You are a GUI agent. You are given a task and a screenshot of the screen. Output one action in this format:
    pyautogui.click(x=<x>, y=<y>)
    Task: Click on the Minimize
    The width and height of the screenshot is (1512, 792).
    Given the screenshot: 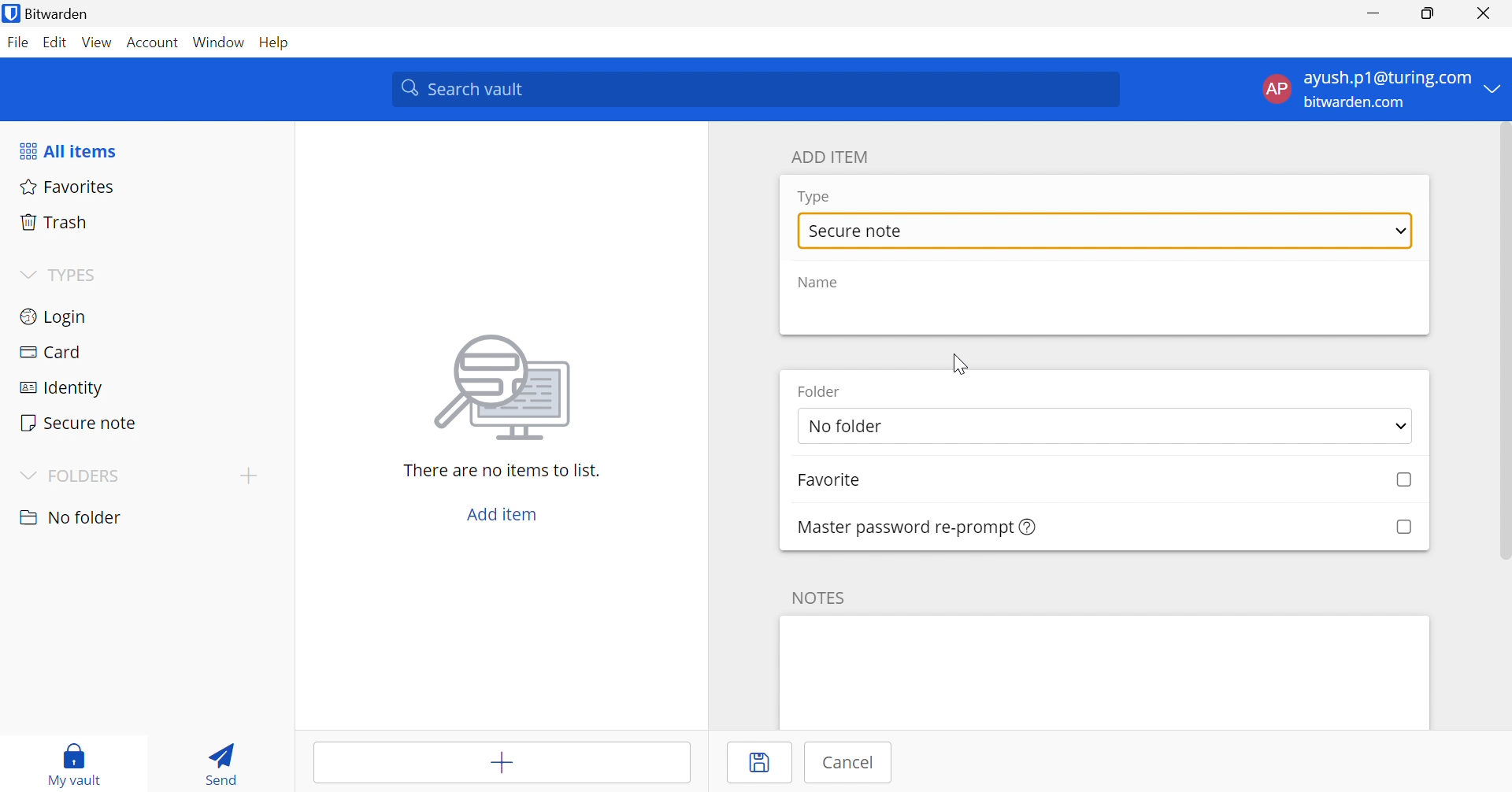 What is the action you would take?
    pyautogui.click(x=1374, y=12)
    